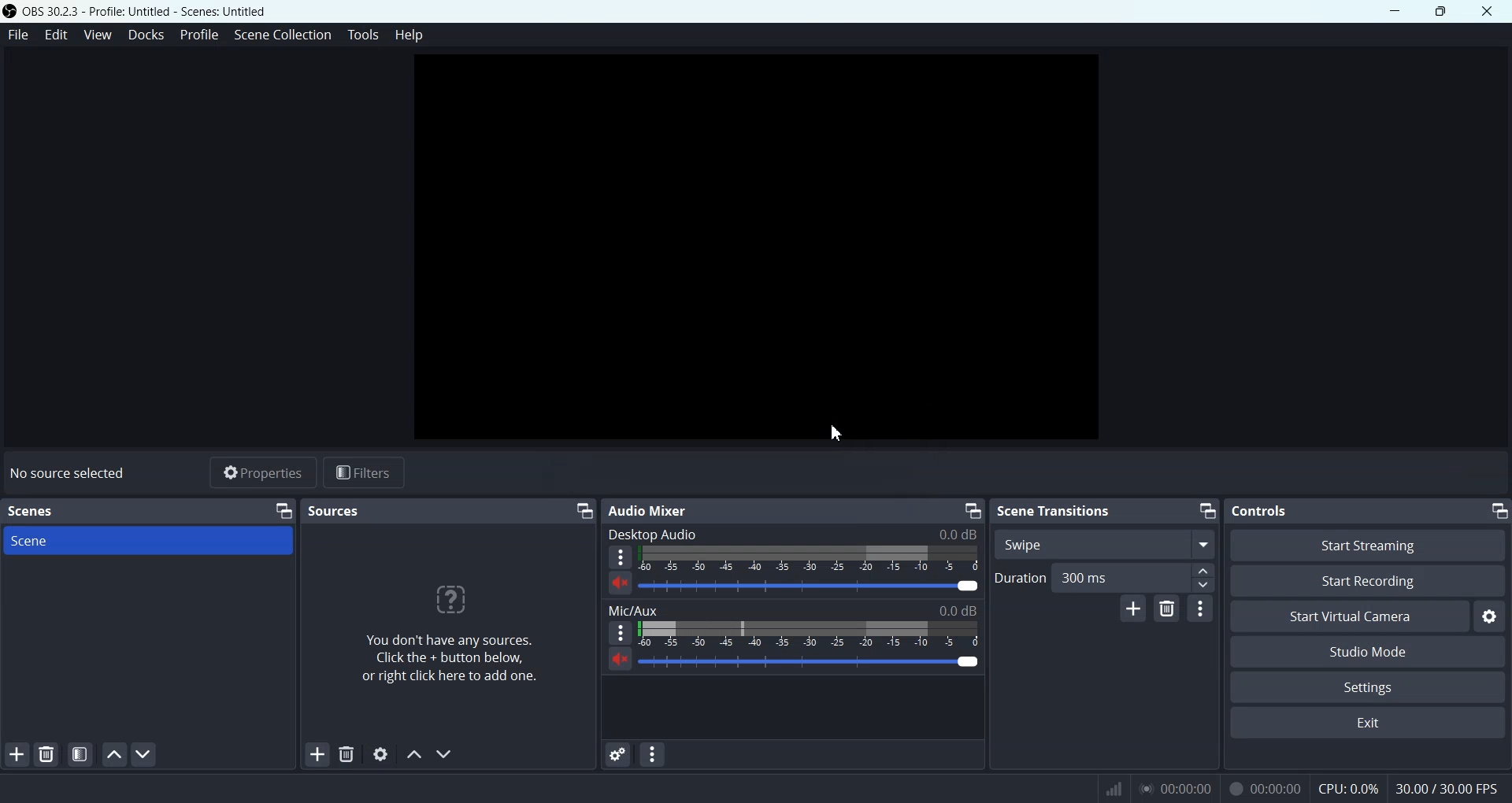  Describe the element at coordinates (96, 35) in the screenshot. I see `View` at that location.